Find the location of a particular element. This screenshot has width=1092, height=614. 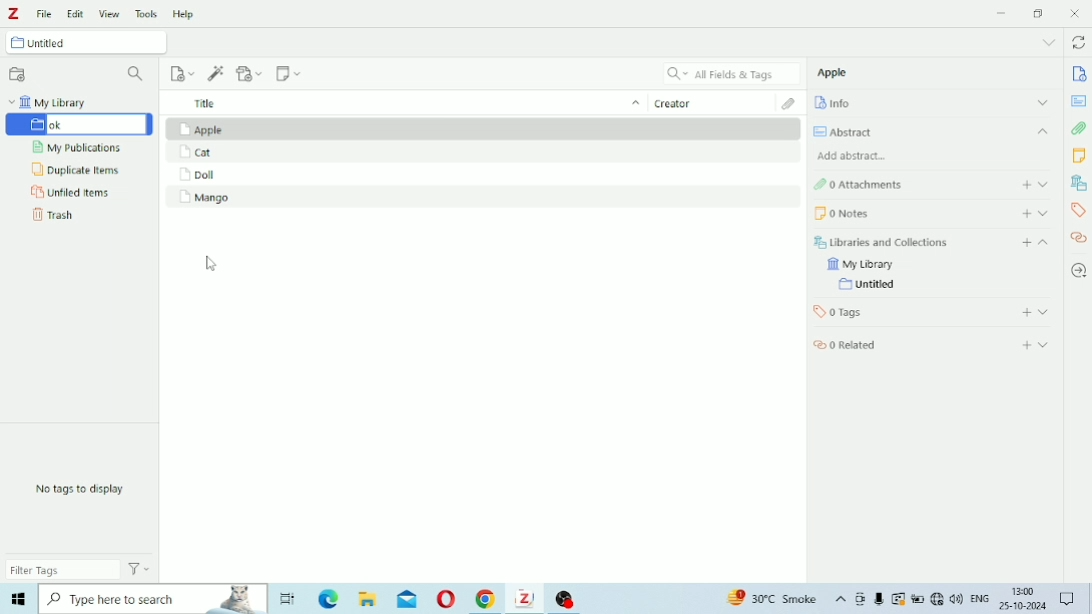

New Item is located at coordinates (183, 72).